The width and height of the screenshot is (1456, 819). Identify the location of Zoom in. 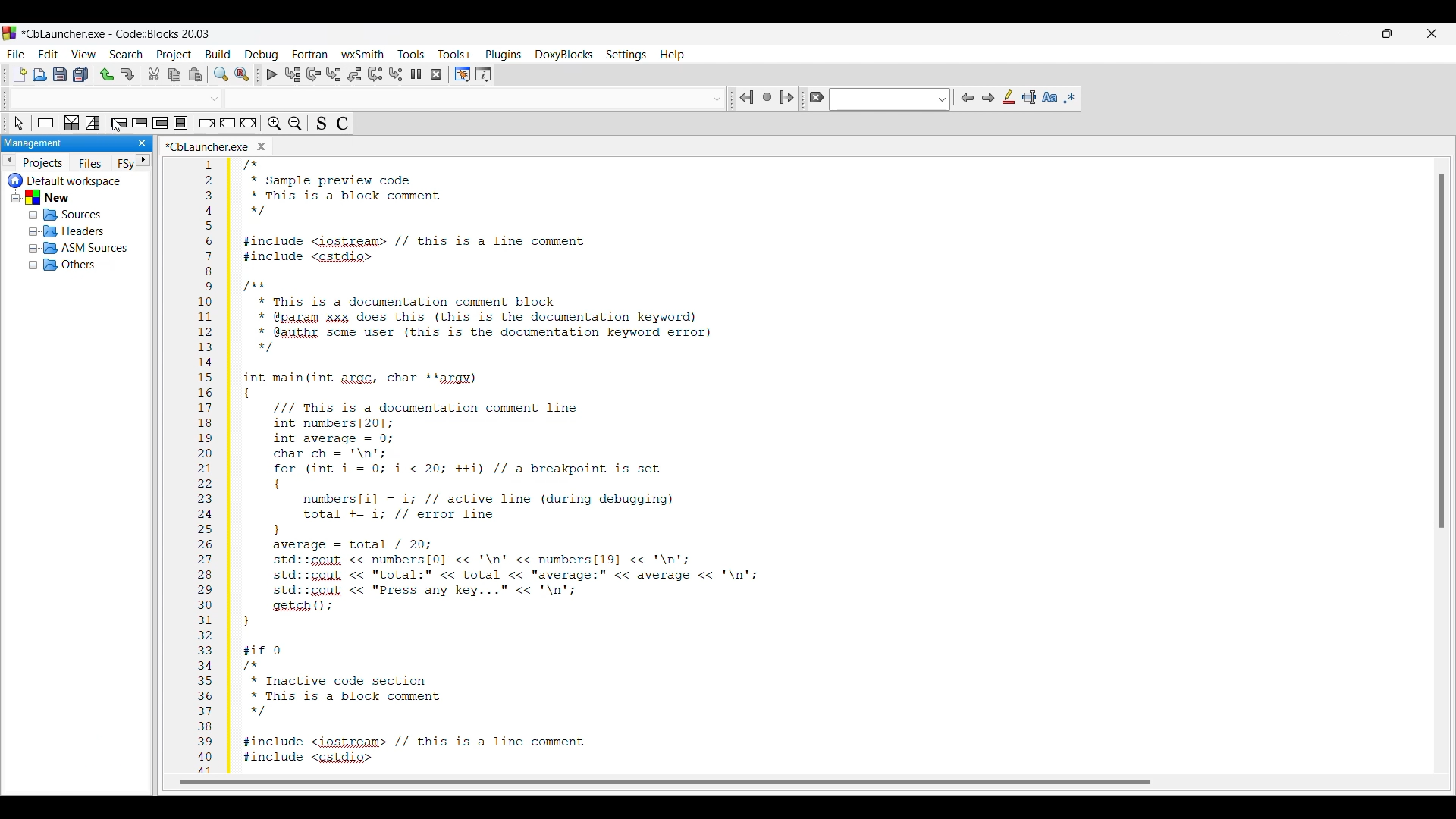
(275, 123).